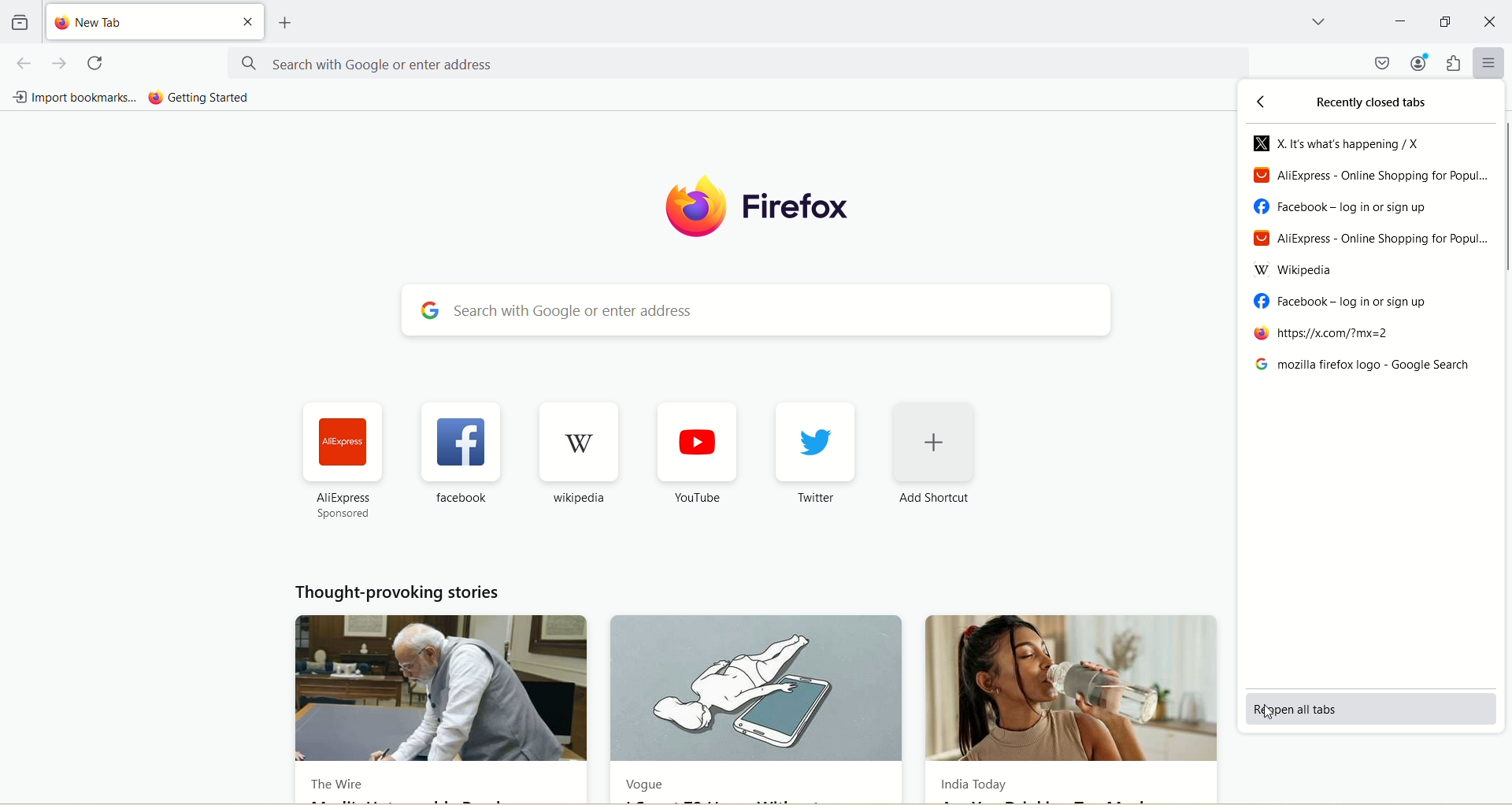 The image size is (1512, 805). Describe the element at coordinates (1447, 19) in the screenshot. I see `maximize` at that location.